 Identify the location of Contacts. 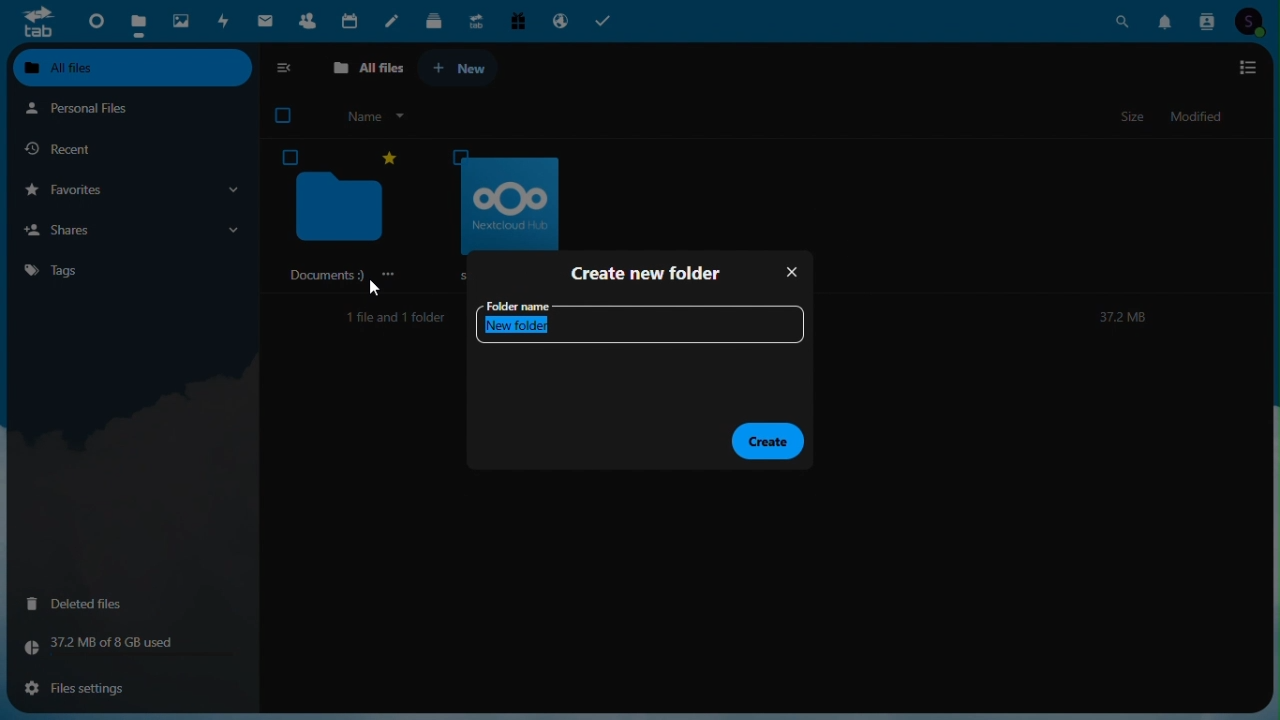
(1208, 19).